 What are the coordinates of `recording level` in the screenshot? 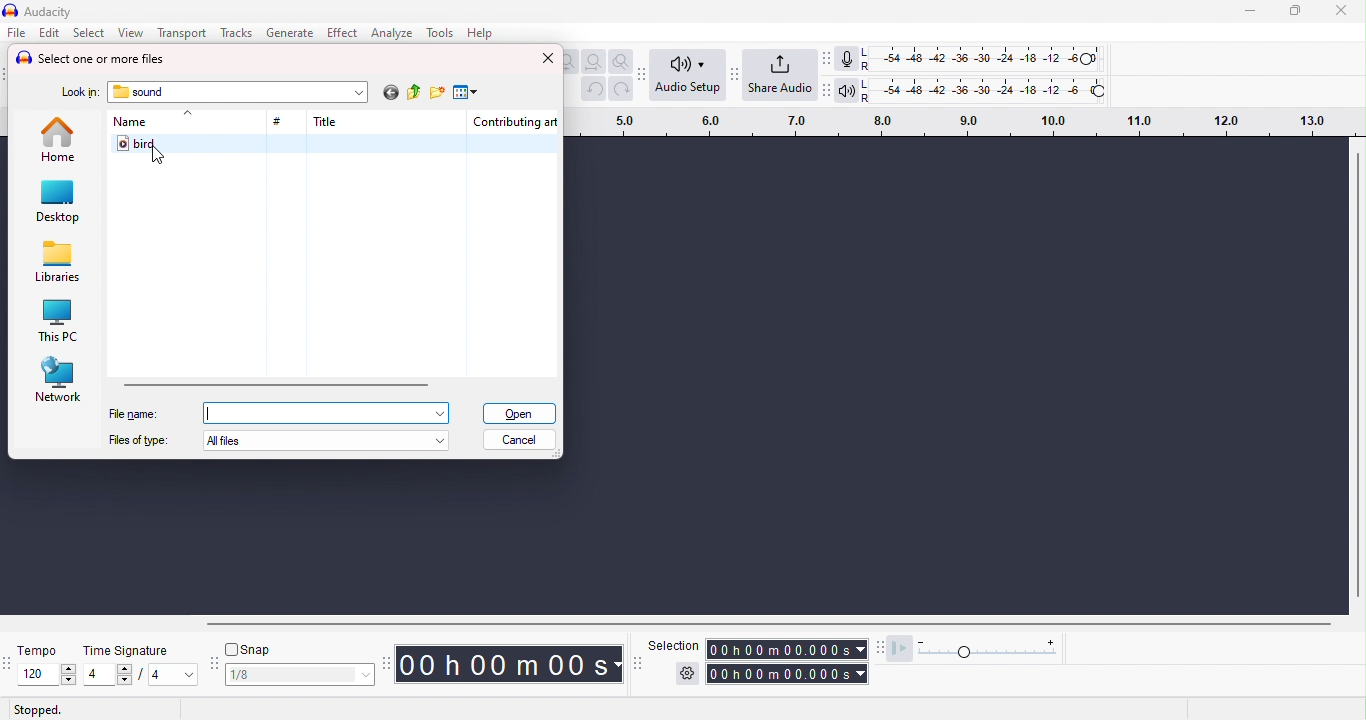 It's located at (981, 58).